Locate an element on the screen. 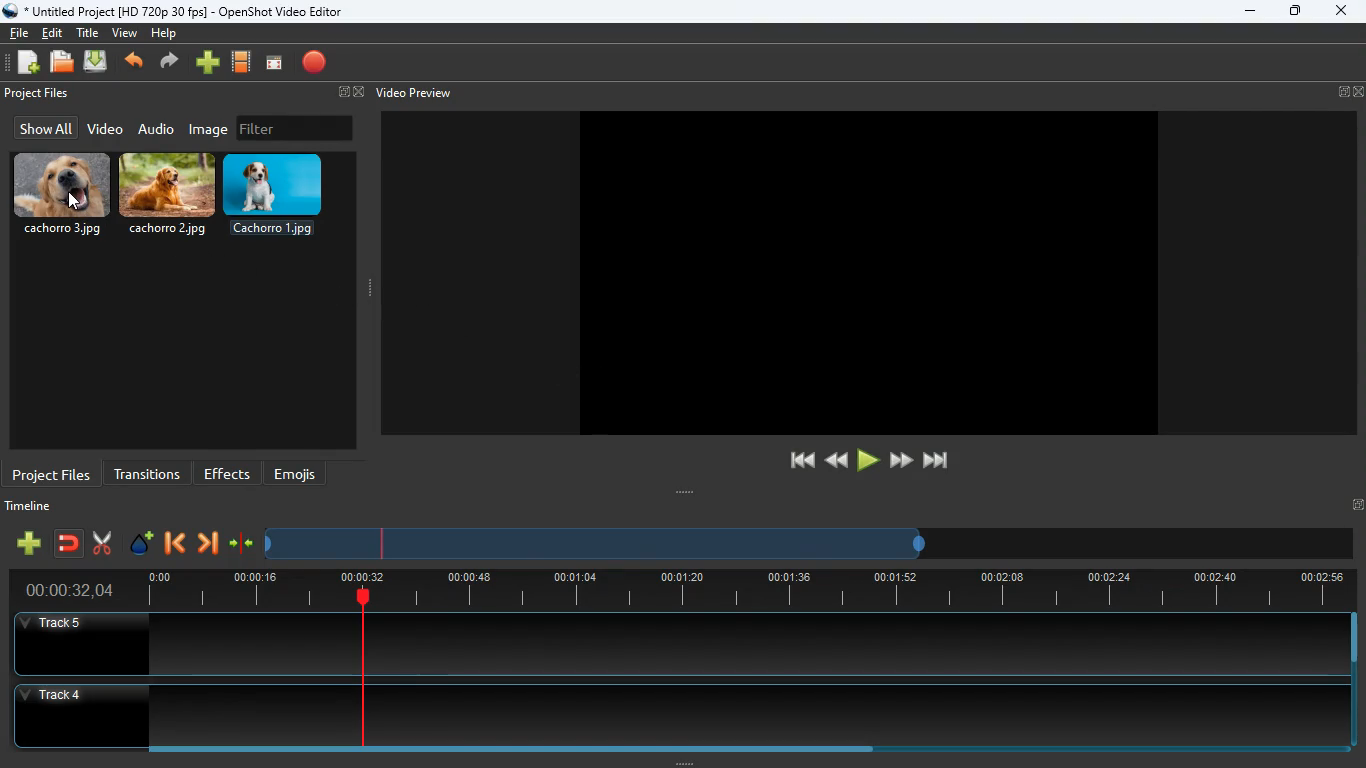 The width and height of the screenshot is (1366, 768). emojis is located at coordinates (300, 474).